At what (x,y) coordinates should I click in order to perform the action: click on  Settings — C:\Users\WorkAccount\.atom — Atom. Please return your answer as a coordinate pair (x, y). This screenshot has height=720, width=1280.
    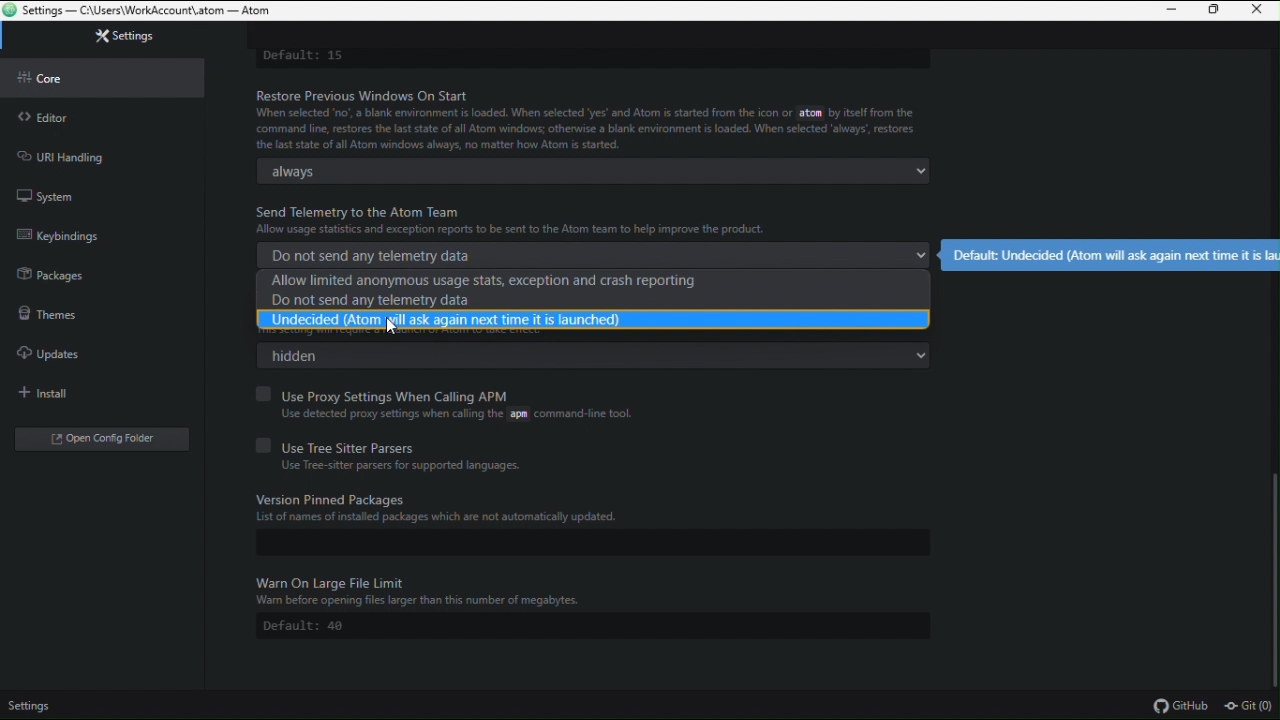
    Looking at the image, I should click on (152, 10).